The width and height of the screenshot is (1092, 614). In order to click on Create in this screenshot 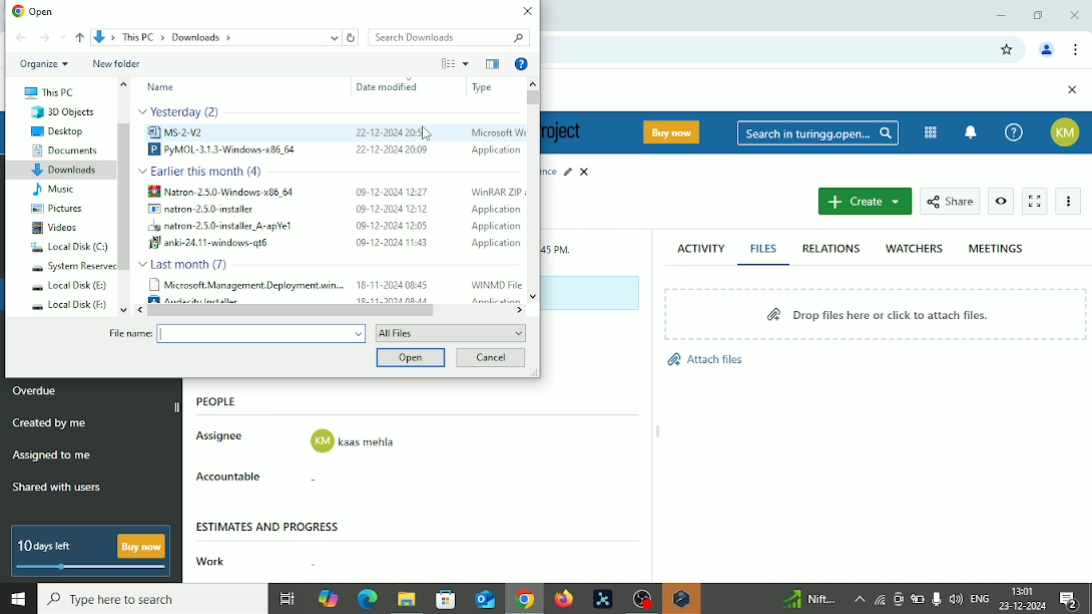, I will do `click(864, 202)`.